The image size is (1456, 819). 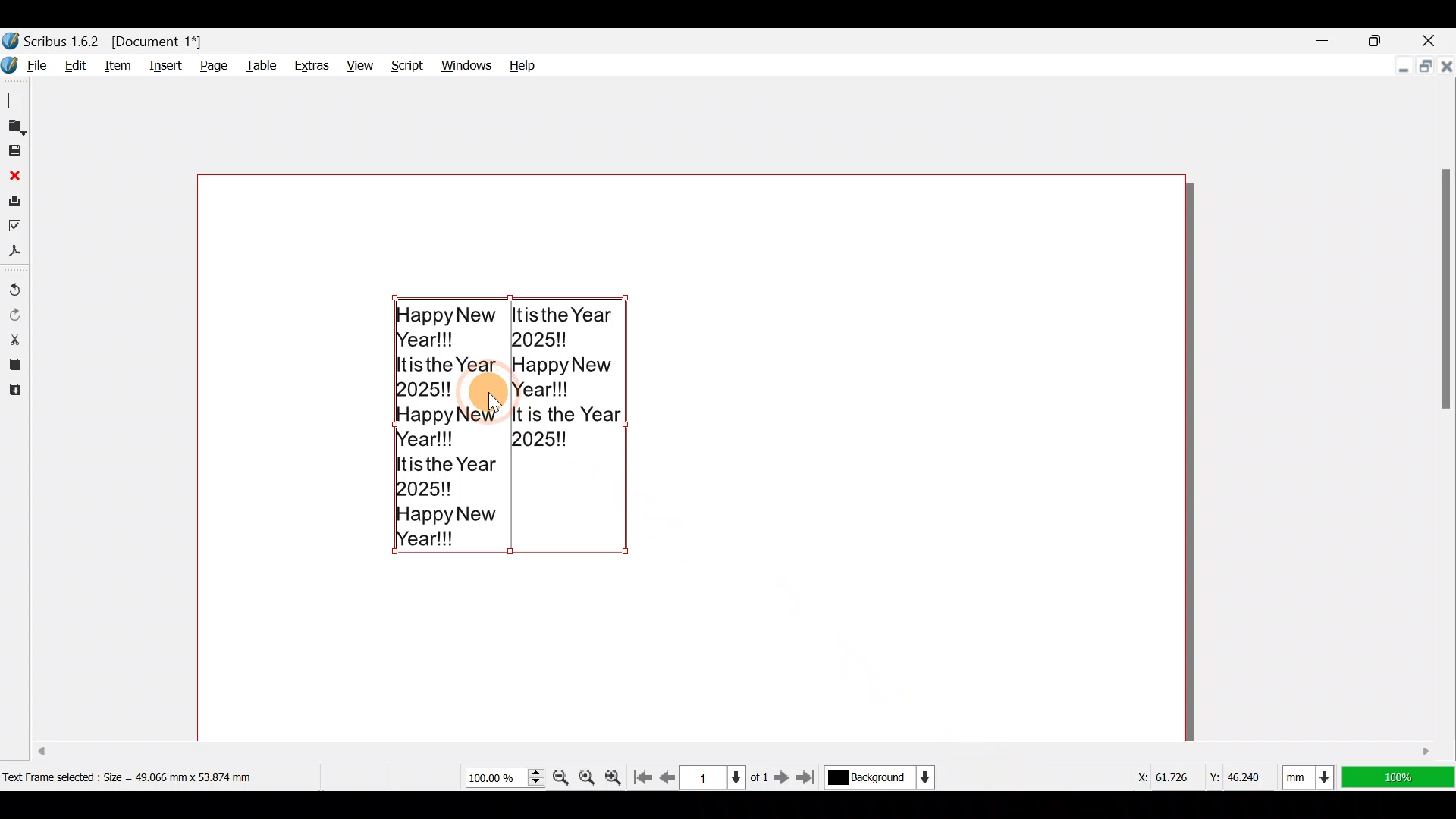 What do you see at coordinates (1389, 39) in the screenshot?
I see `Maximize` at bounding box center [1389, 39].